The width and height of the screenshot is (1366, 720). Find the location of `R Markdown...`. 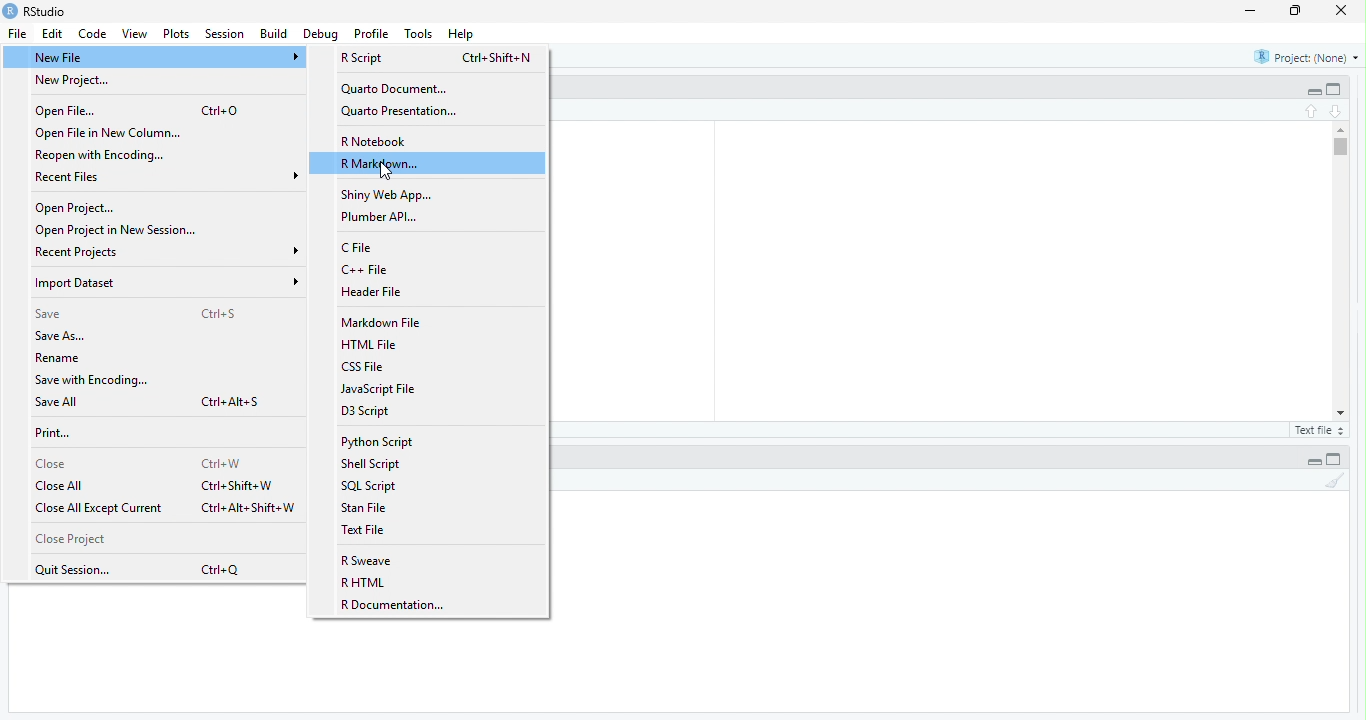

R Markdown... is located at coordinates (382, 164).